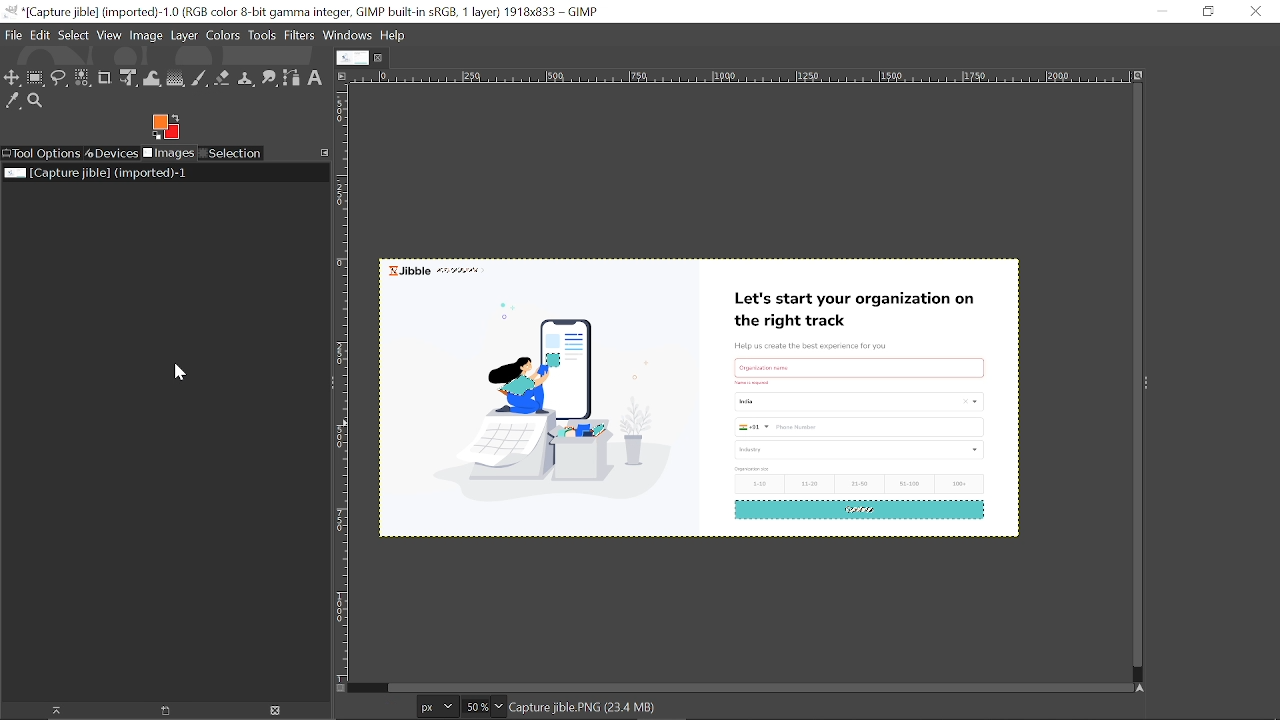 This screenshot has height=720, width=1280. I want to click on Text tool, so click(314, 78).